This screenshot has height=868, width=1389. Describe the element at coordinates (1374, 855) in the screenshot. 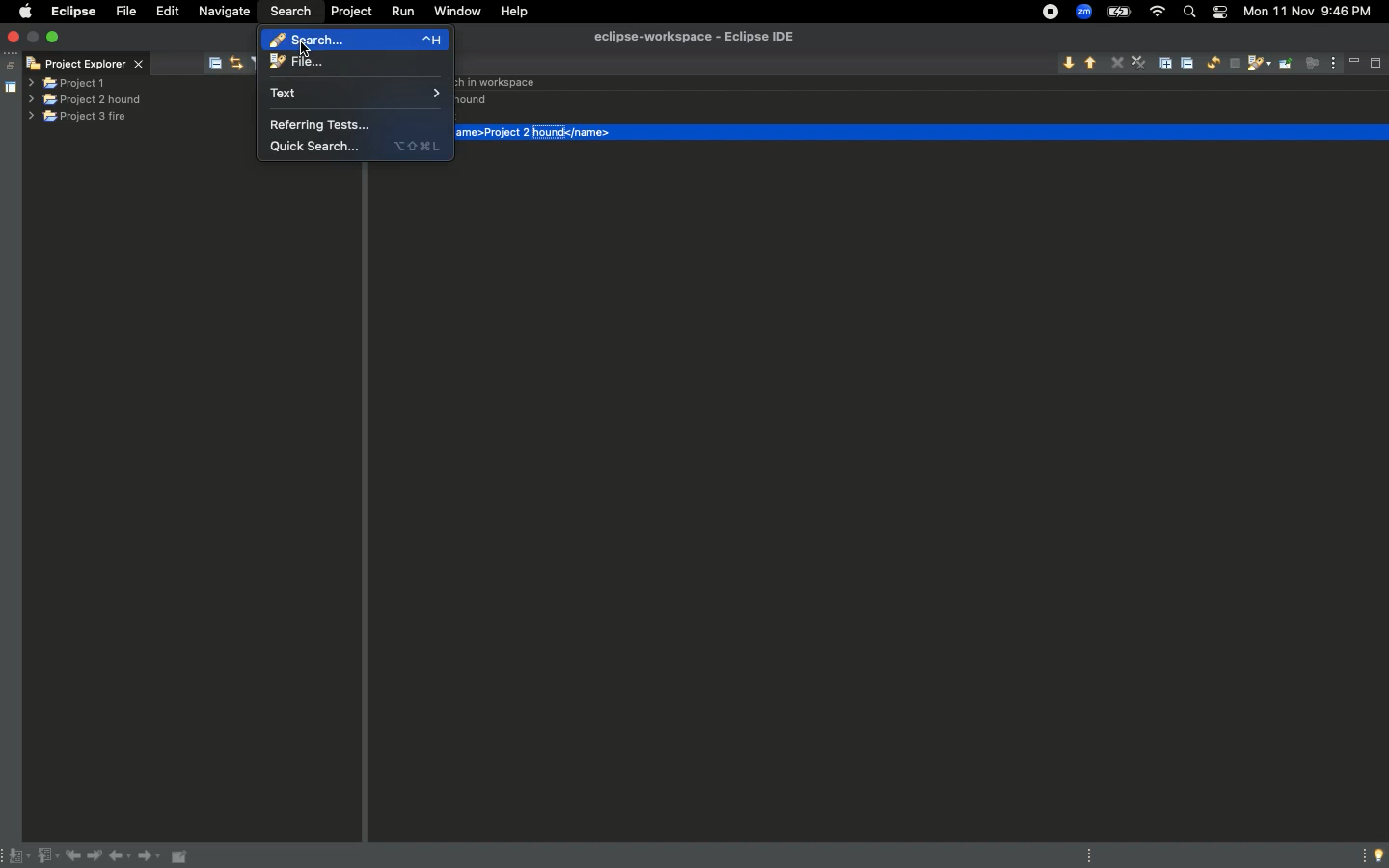

I see `Tip of the day` at that location.